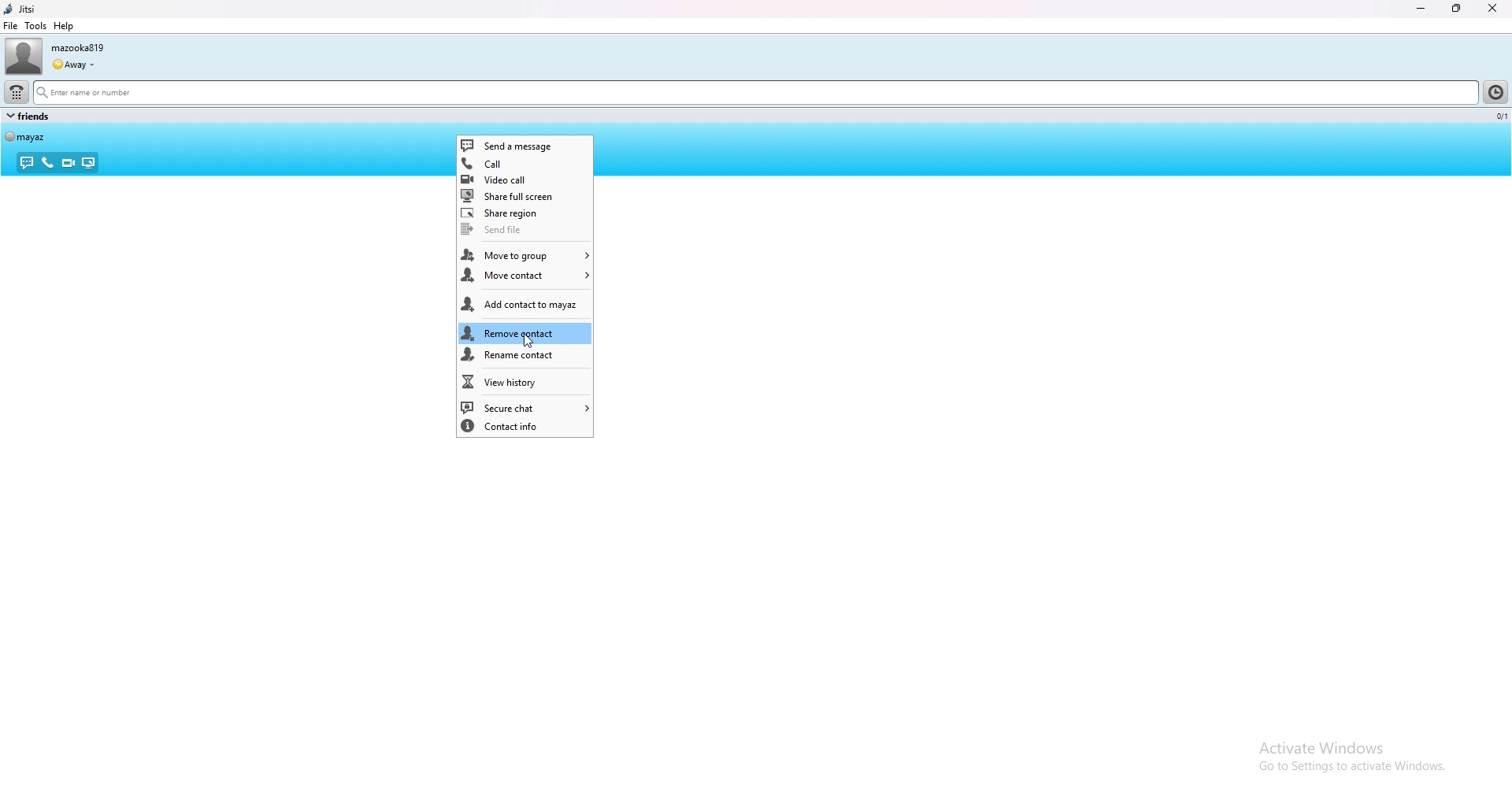 This screenshot has width=1512, height=811. What do you see at coordinates (48, 162) in the screenshot?
I see `voice call` at bounding box center [48, 162].